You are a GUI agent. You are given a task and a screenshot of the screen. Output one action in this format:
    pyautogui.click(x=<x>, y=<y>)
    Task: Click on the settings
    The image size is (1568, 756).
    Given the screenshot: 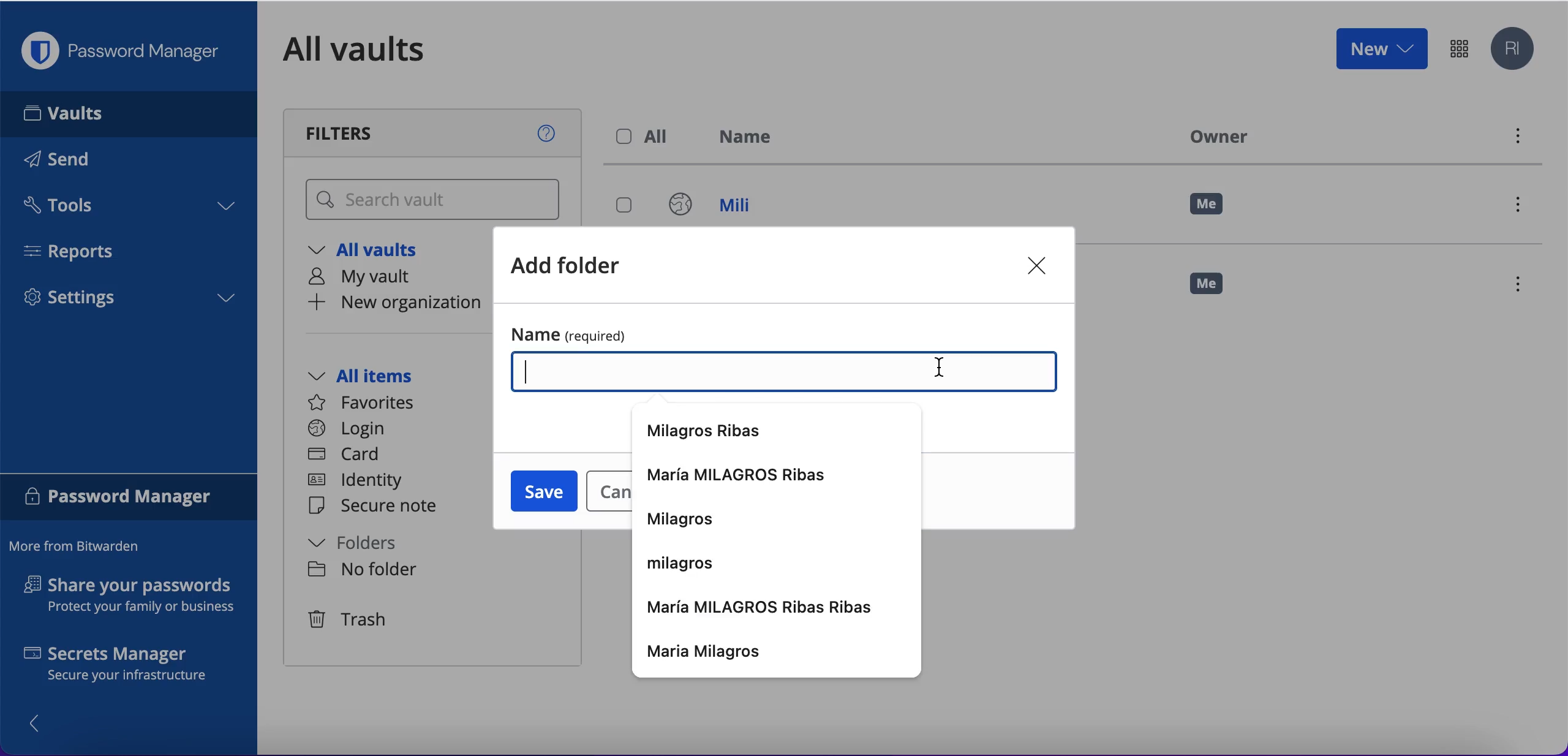 What is the action you would take?
    pyautogui.click(x=129, y=301)
    